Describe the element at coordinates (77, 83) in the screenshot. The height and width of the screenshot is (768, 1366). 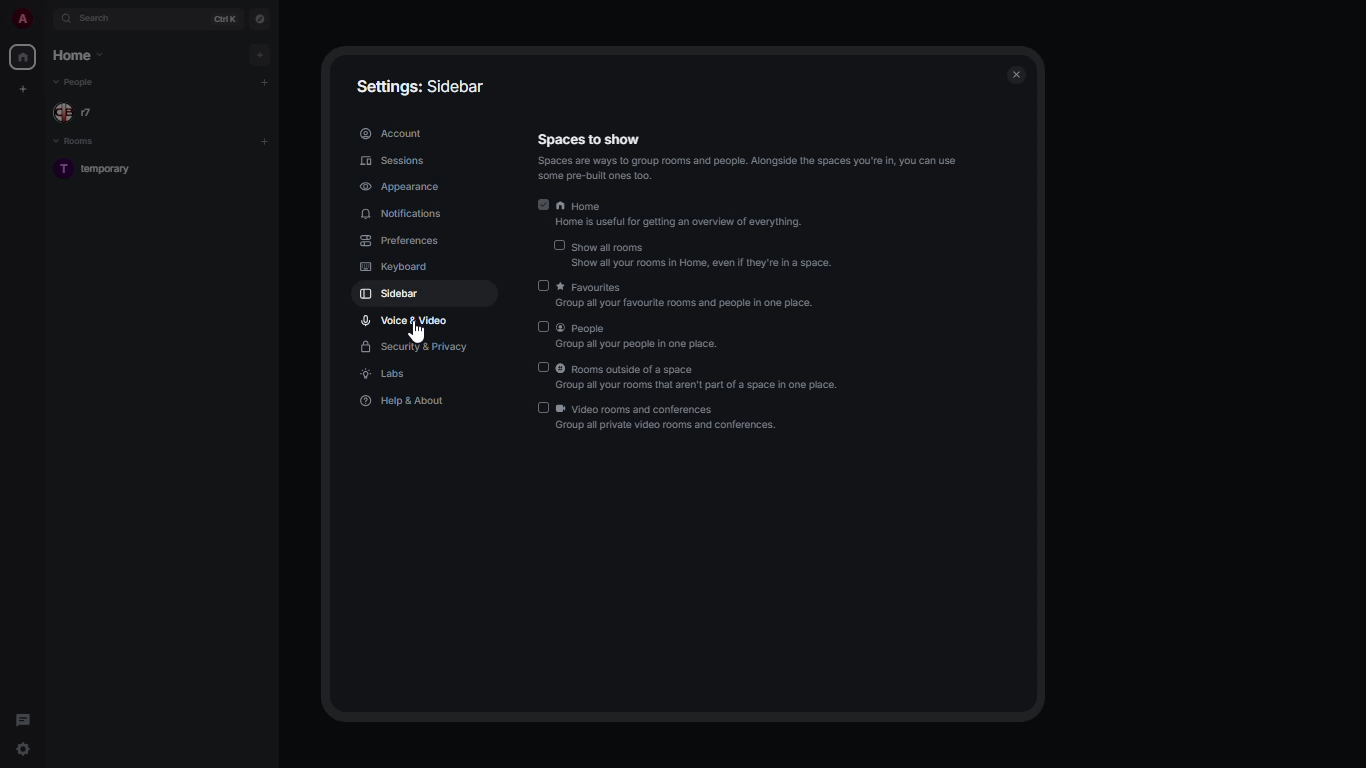
I see `people` at that location.